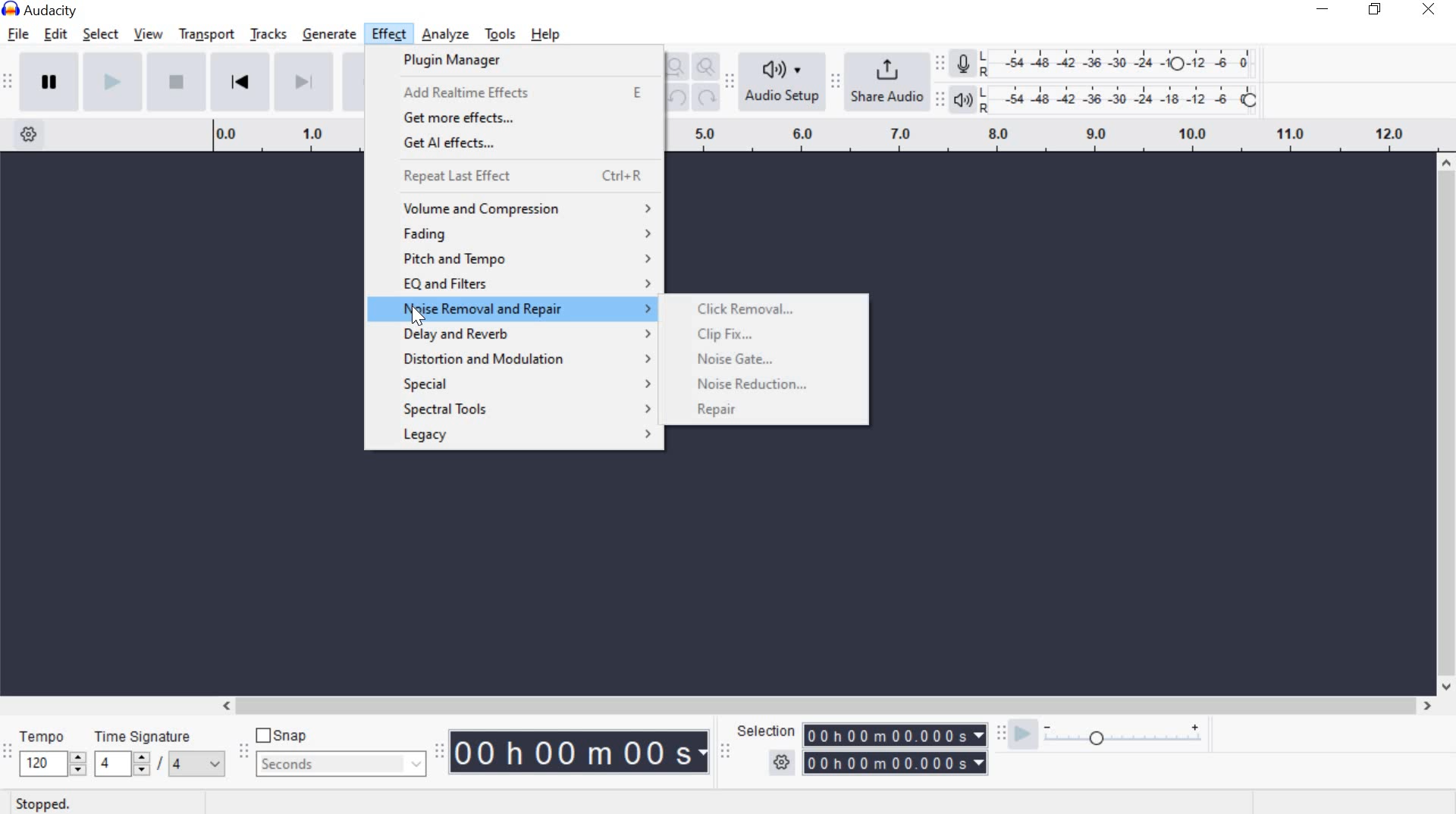  Describe the element at coordinates (532, 260) in the screenshot. I see `pitch and tempo` at that location.